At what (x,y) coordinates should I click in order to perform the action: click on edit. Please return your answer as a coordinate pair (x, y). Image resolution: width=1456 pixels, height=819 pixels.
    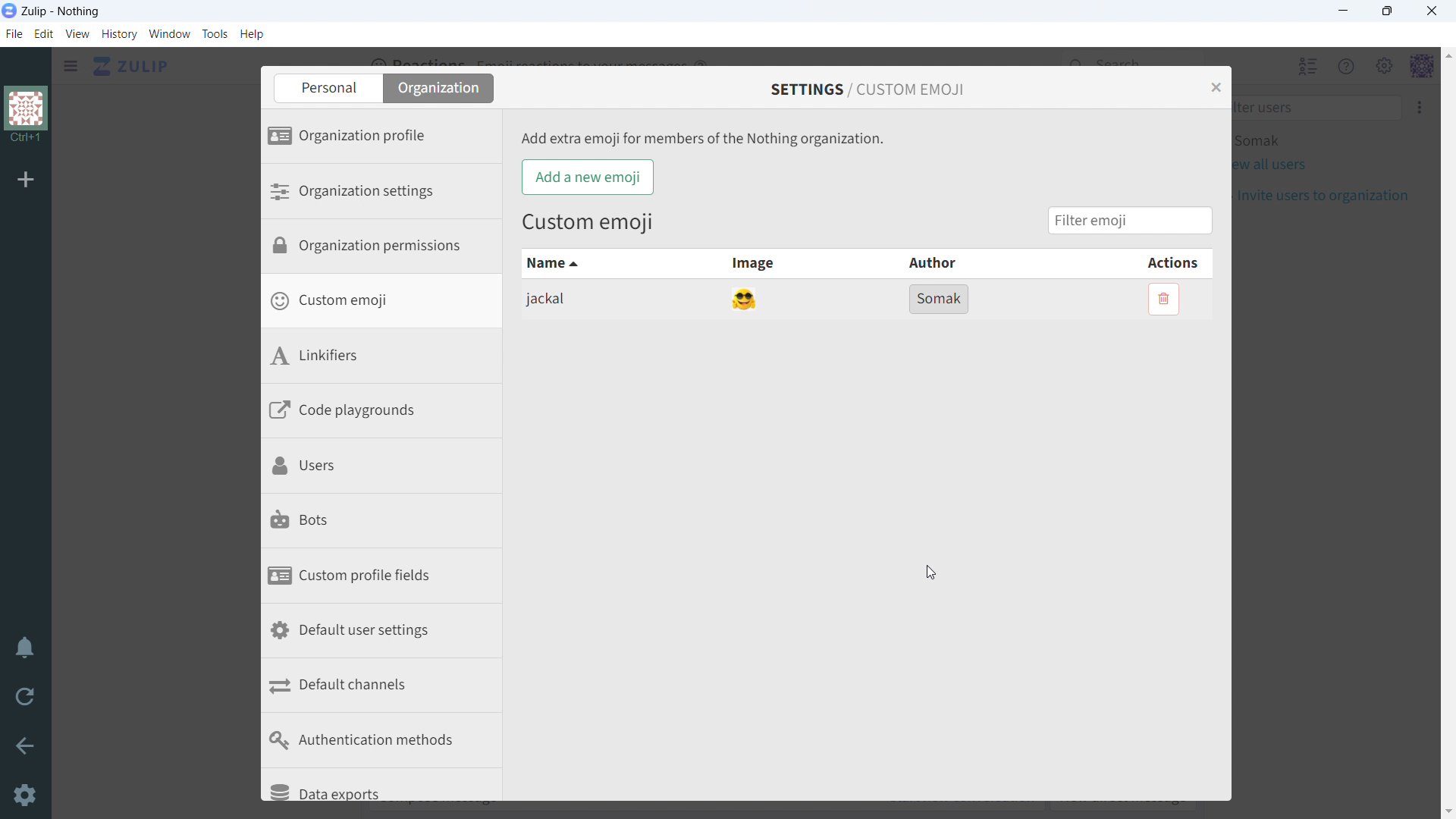
    Looking at the image, I should click on (44, 35).